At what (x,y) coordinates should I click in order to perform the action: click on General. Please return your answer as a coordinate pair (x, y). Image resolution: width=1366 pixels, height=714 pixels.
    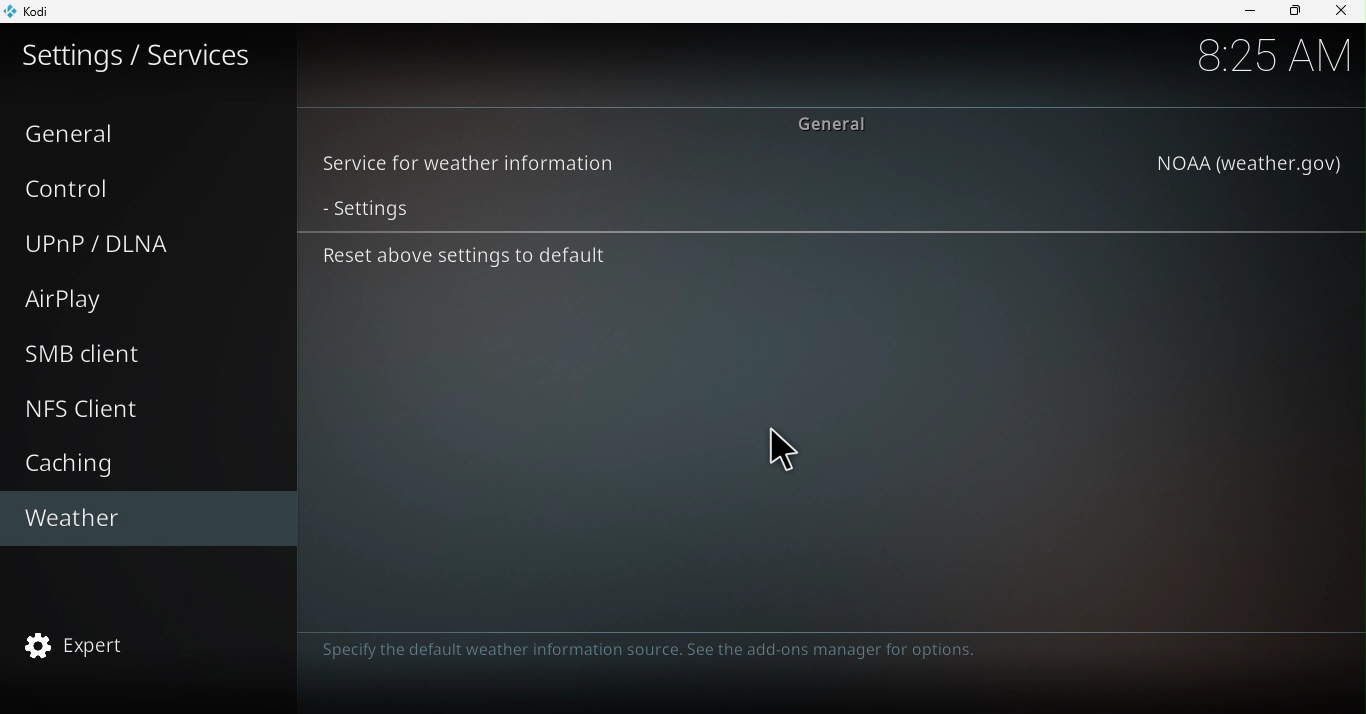
    Looking at the image, I should click on (146, 131).